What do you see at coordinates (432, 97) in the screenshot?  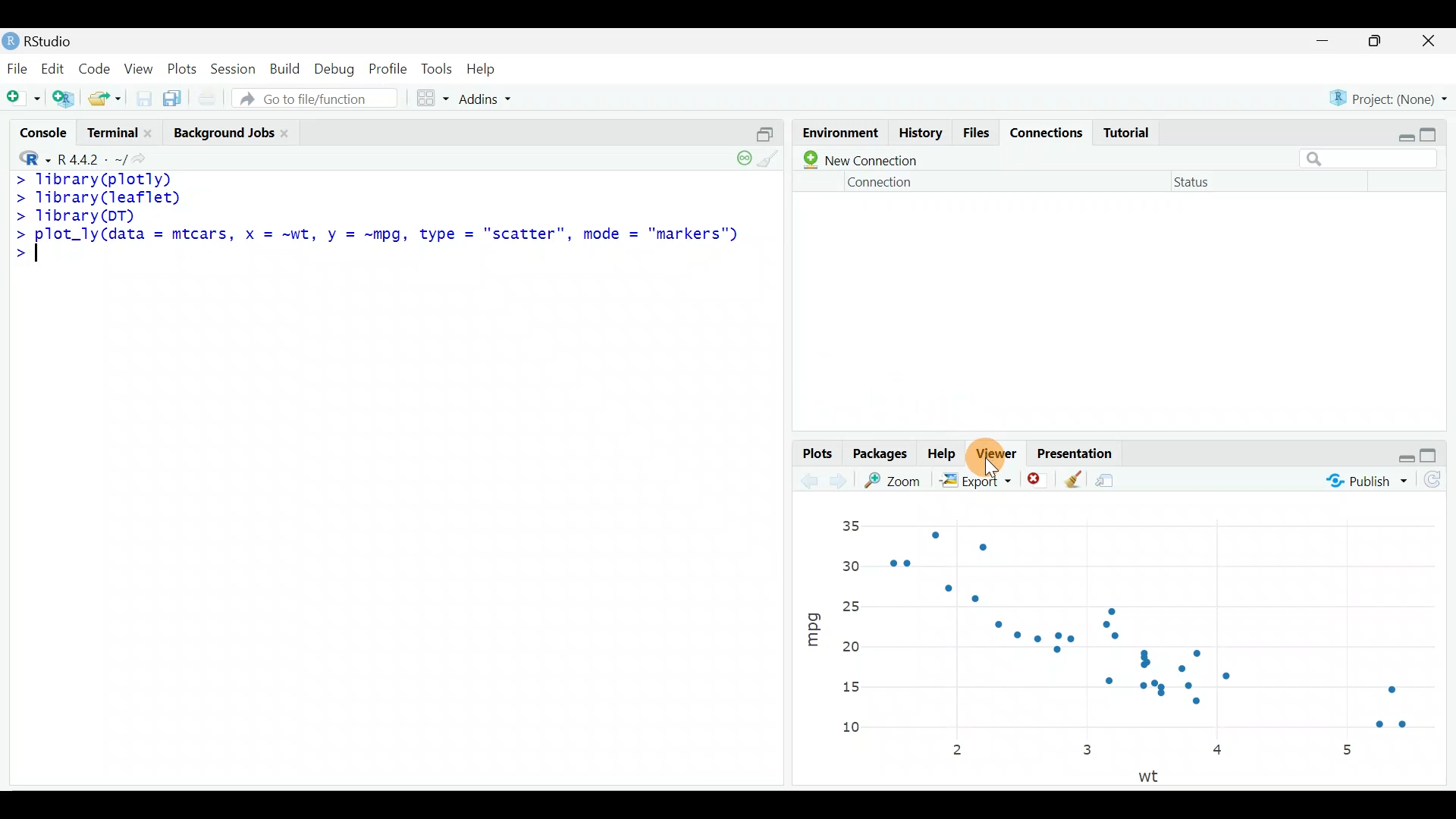 I see `Workspace panes` at bounding box center [432, 97].